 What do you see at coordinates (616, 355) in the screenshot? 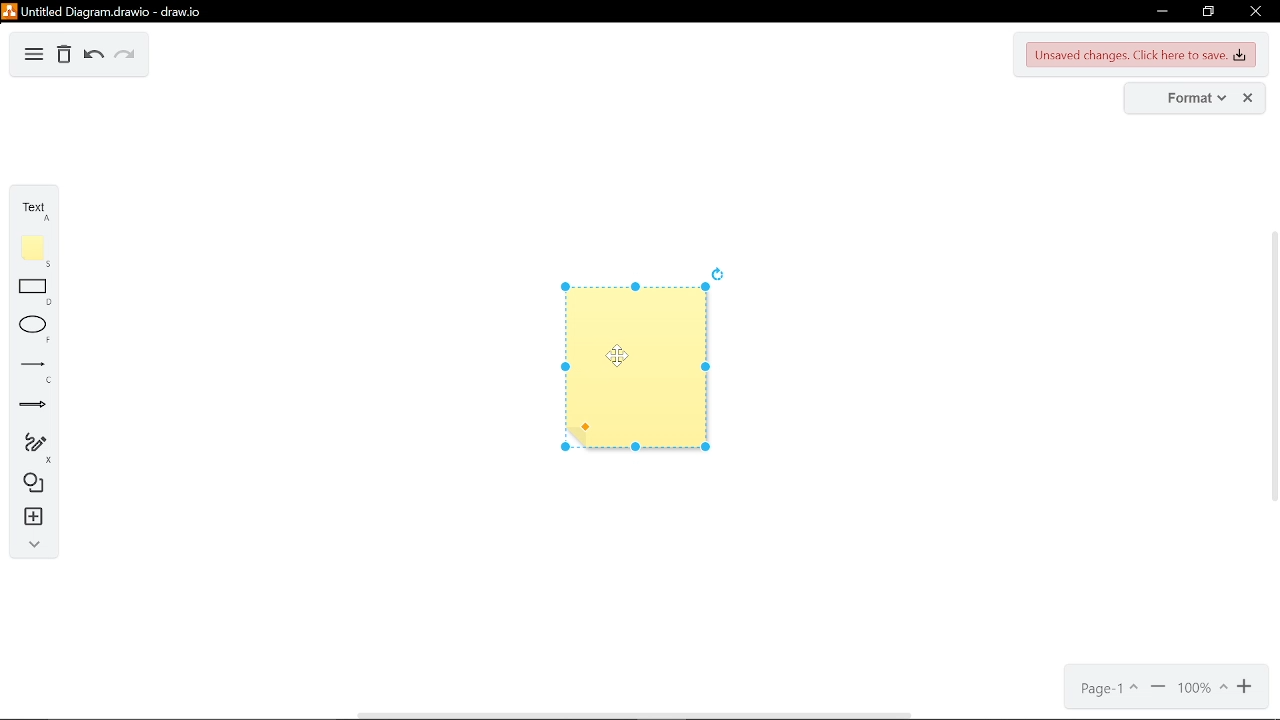
I see `cursor` at bounding box center [616, 355].